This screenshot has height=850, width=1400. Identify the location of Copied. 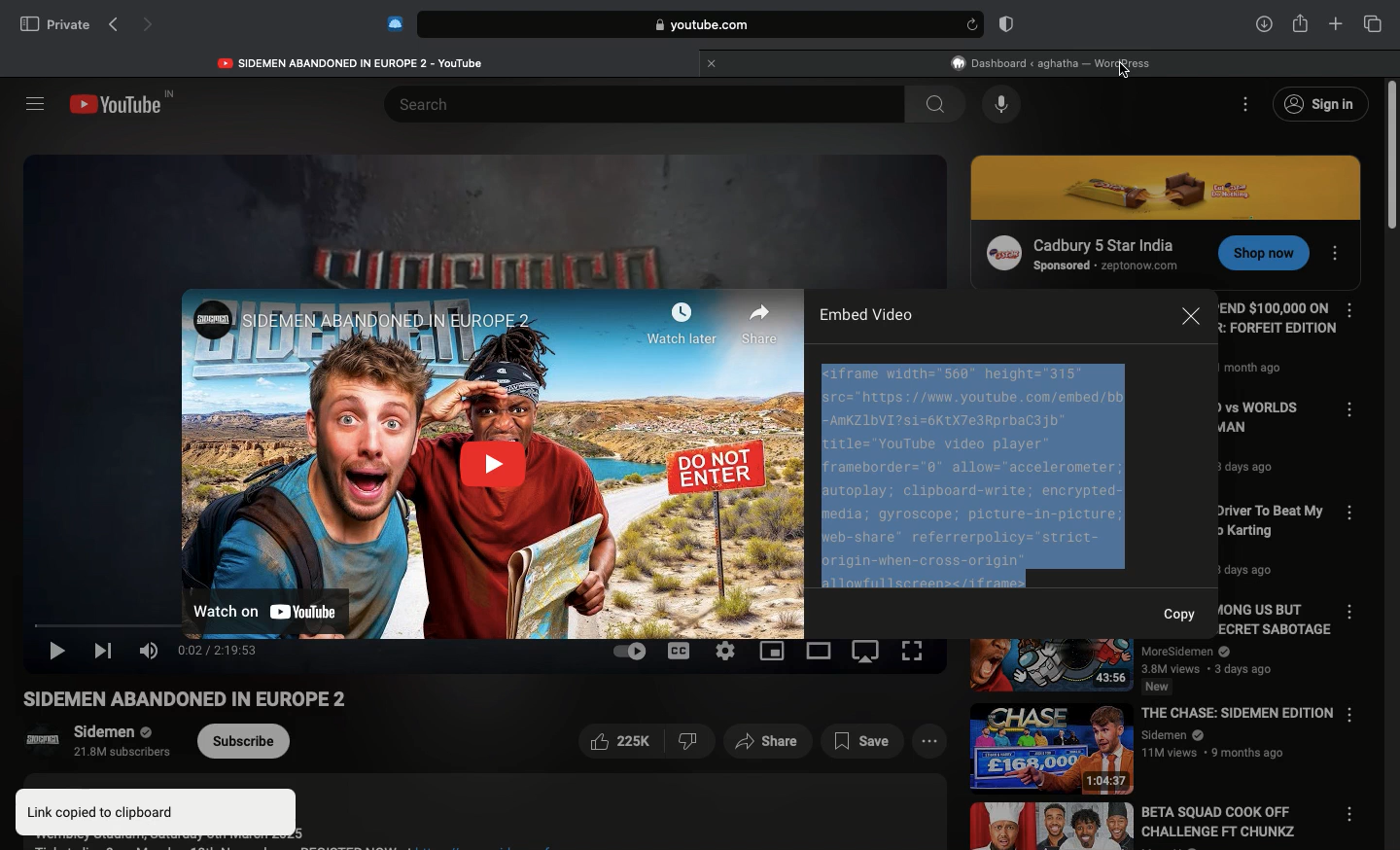
(974, 473).